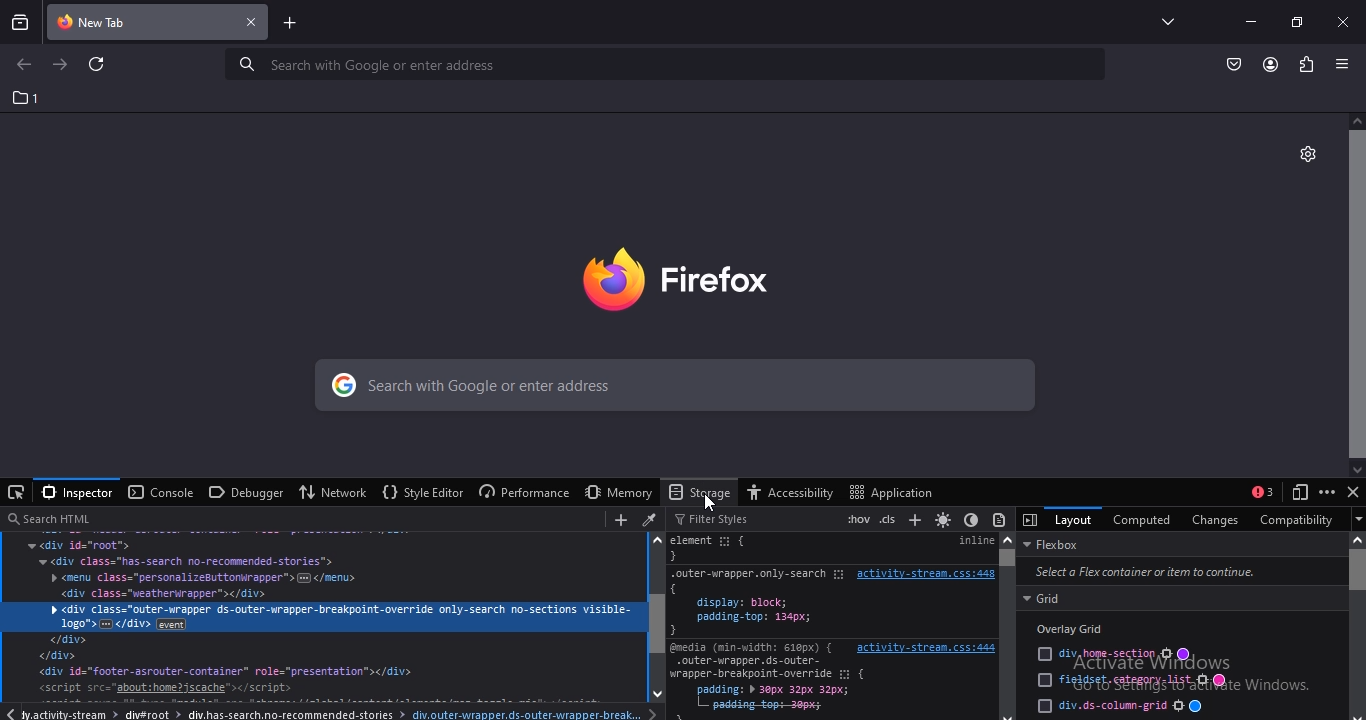  What do you see at coordinates (1007, 627) in the screenshot?
I see `scroll bar` at bounding box center [1007, 627].